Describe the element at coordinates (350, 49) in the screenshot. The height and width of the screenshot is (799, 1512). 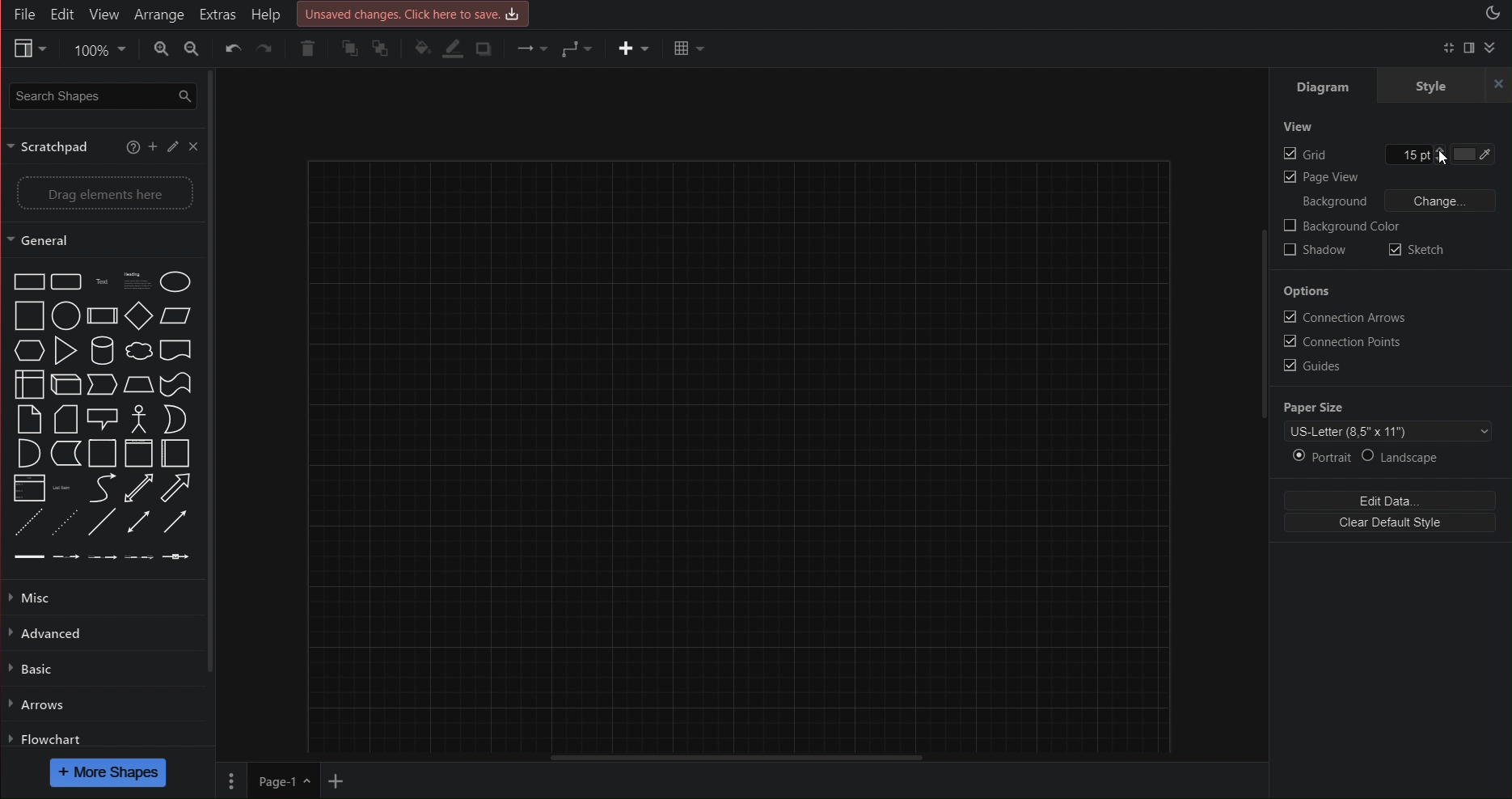
I see `Send Front` at that location.